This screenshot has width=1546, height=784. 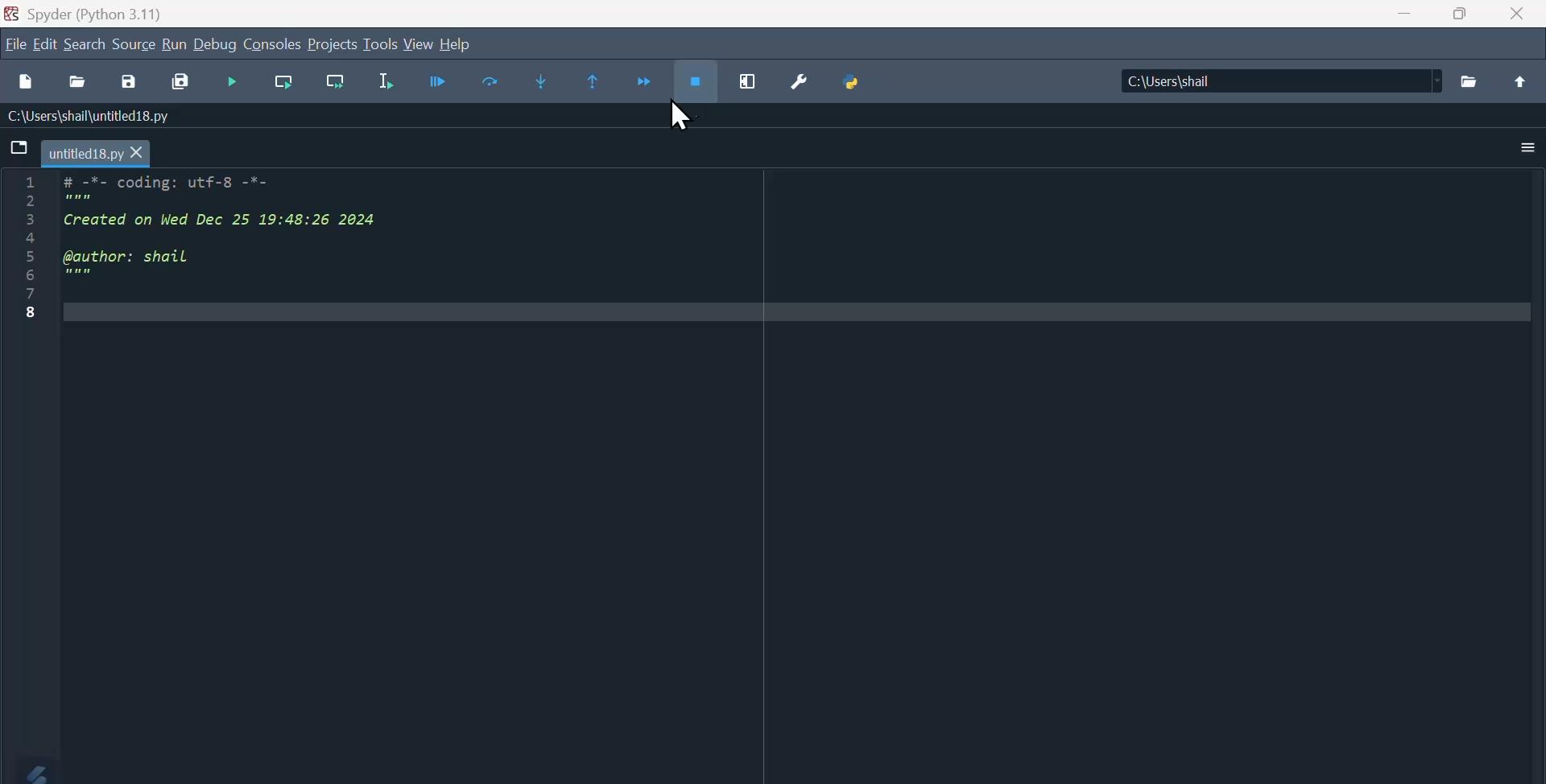 What do you see at coordinates (182, 80) in the screenshot?
I see `Save all` at bounding box center [182, 80].